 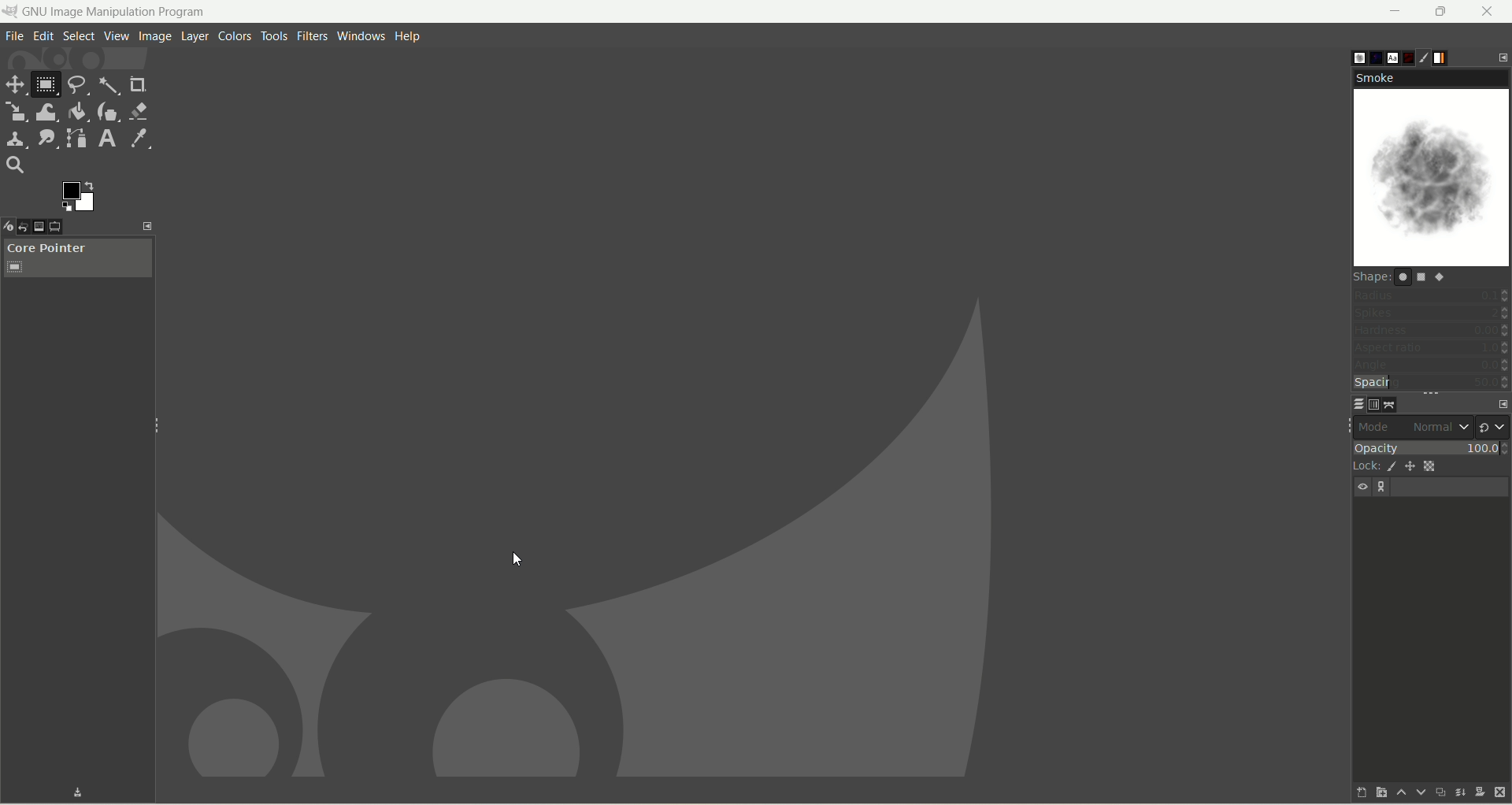 What do you see at coordinates (275, 37) in the screenshot?
I see `tools` at bounding box center [275, 37].